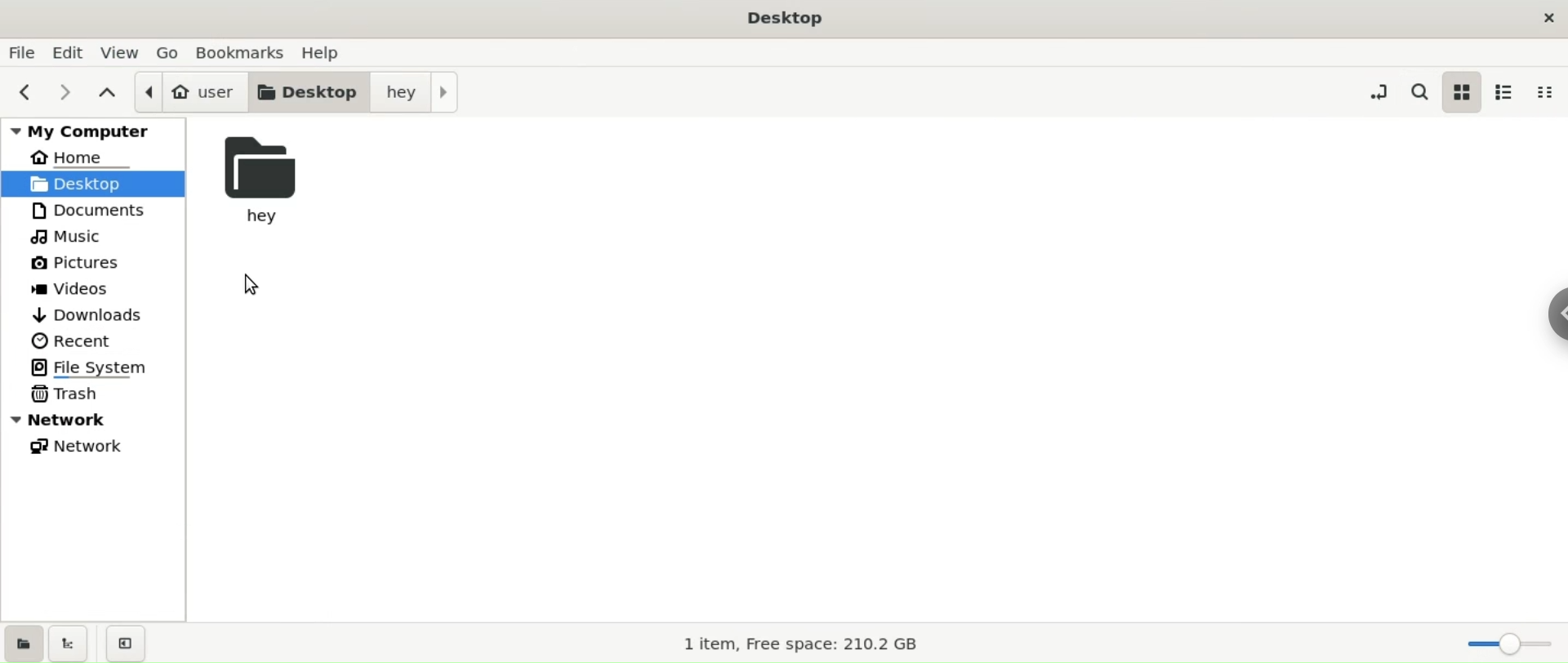 This screenshot has width=1568, height=663. Describe the element at coordinates (90, 130) in the screenshot. I see `my computer` at that location.